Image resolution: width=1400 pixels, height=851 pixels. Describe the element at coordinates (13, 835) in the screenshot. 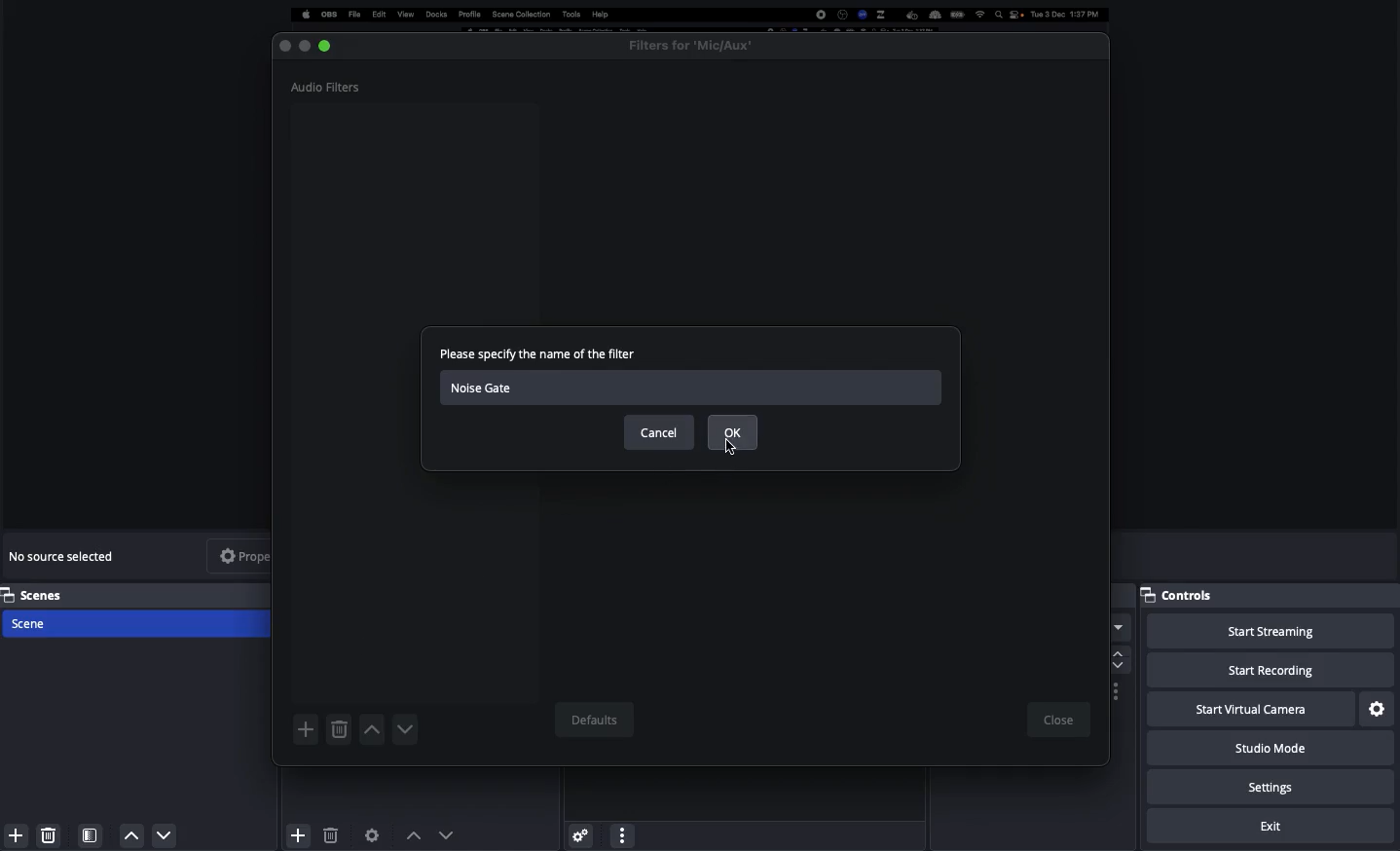

I see `Add` at that location.